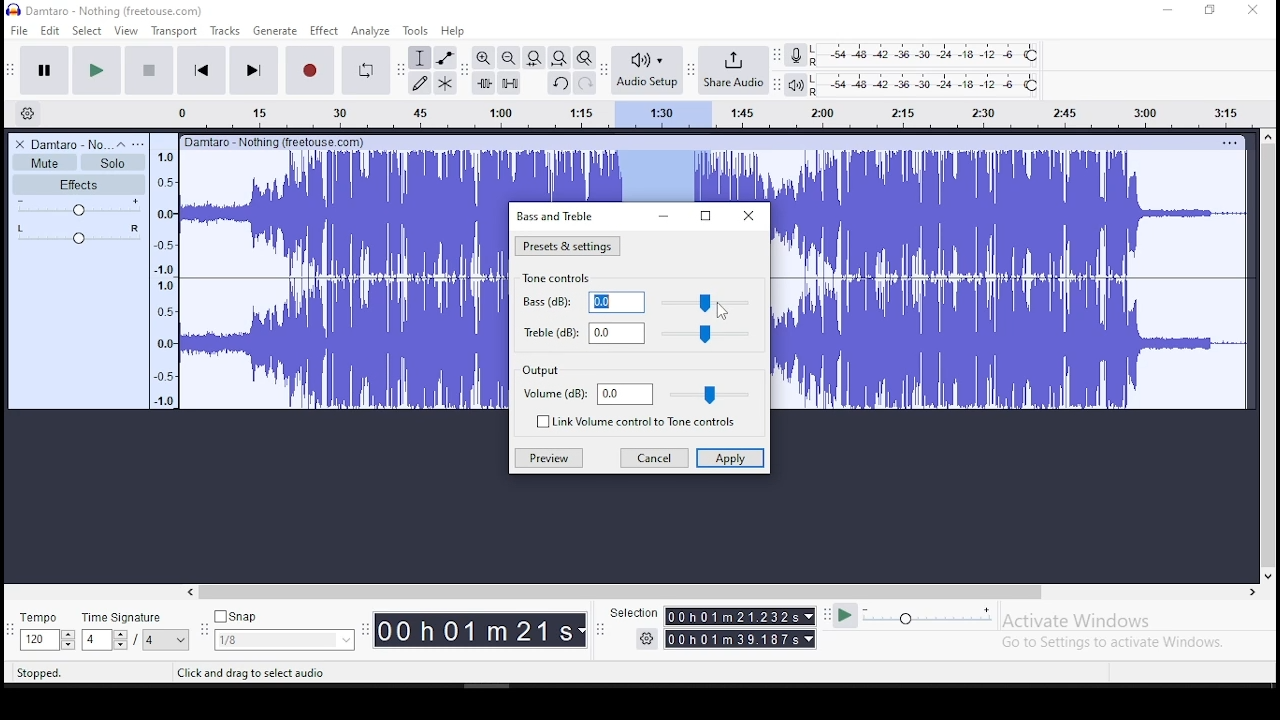  I want to click on drop down, so click(67, 640).